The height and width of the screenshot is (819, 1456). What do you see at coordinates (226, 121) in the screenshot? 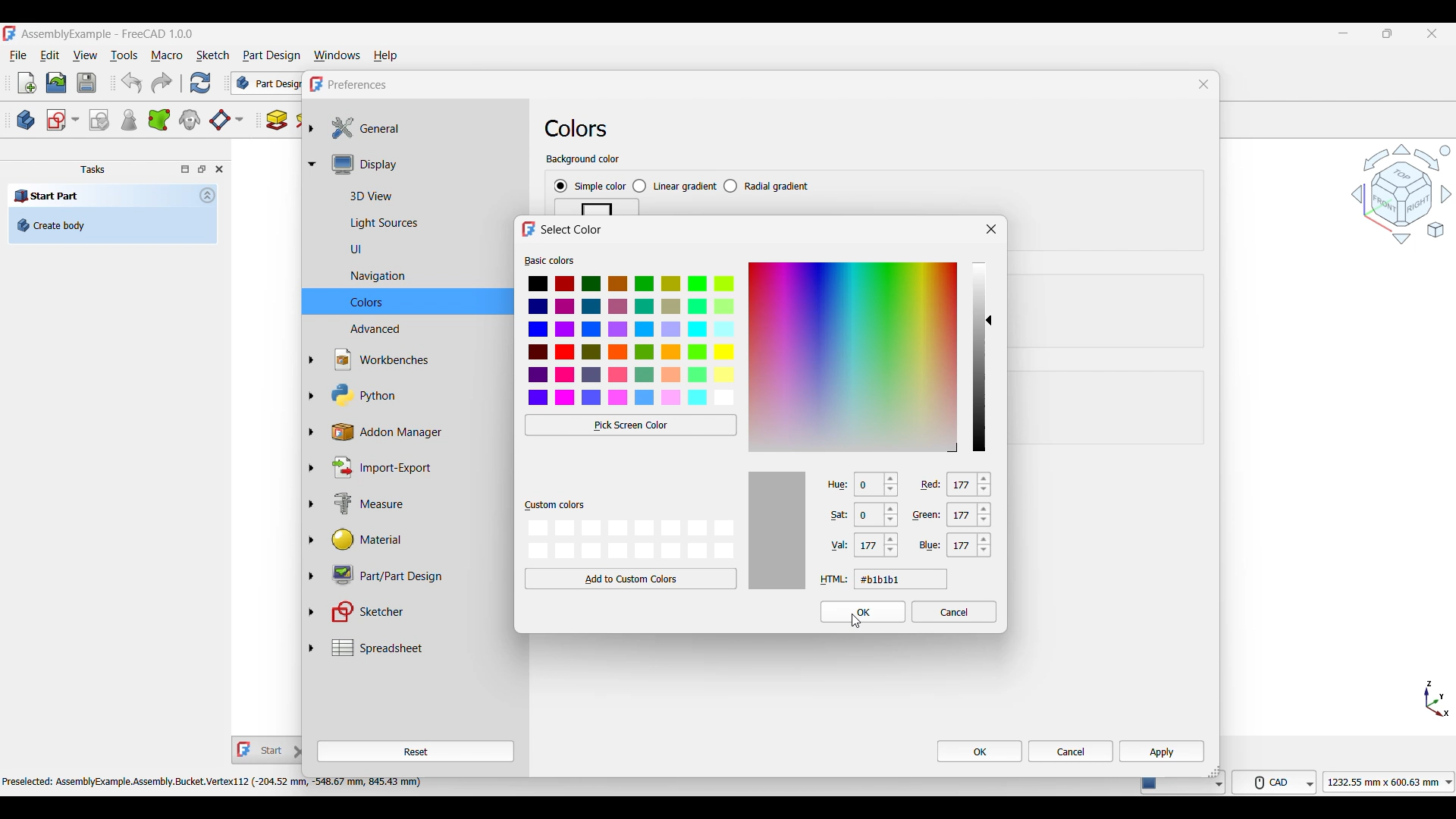
I see `Create a datum plane` at bounding box center [226, 121].